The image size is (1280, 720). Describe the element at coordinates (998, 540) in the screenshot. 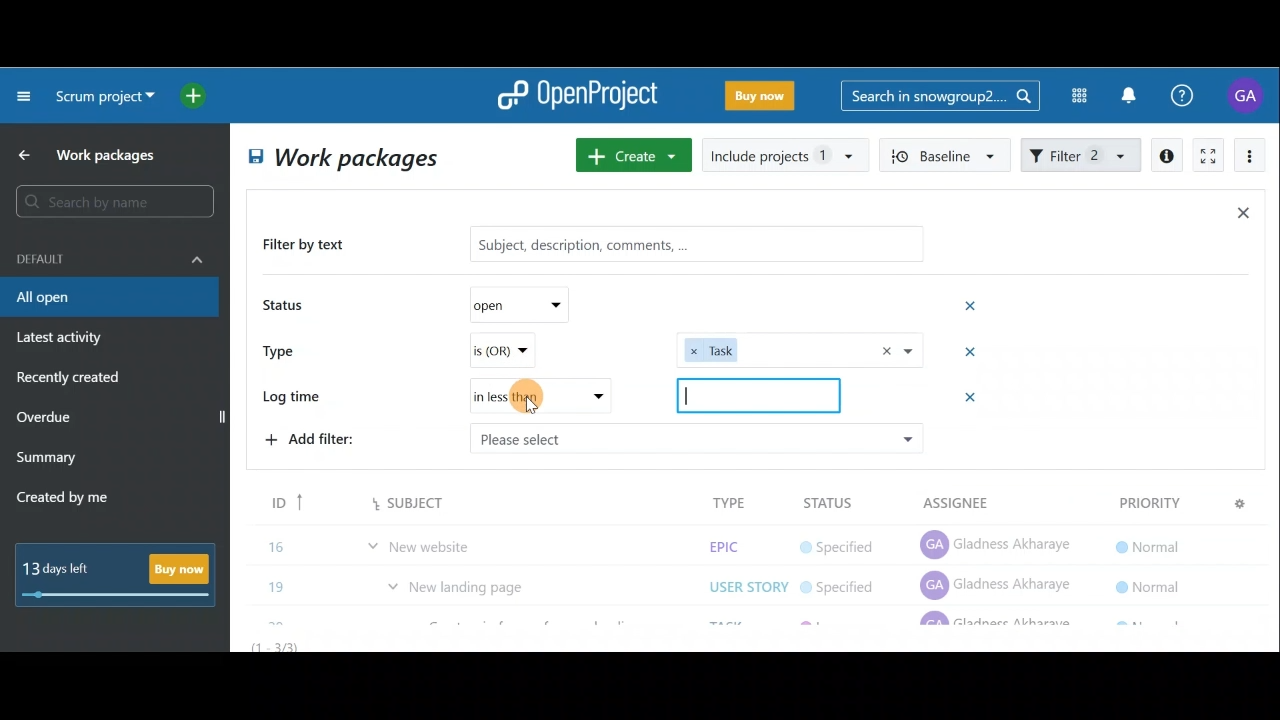

I see `page TASK a(GA) Gladness Akharaye` at that location.